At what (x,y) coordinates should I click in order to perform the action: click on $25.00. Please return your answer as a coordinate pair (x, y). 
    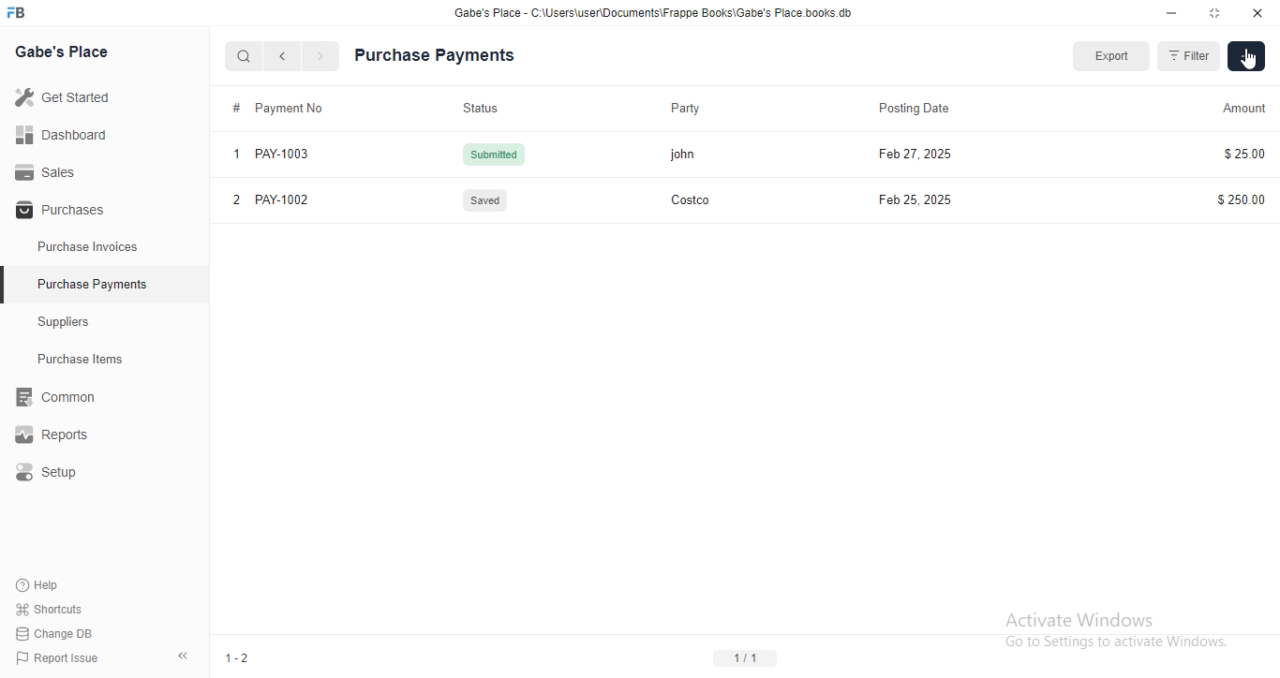
    Looking at the image, I should click on (1242, 154).